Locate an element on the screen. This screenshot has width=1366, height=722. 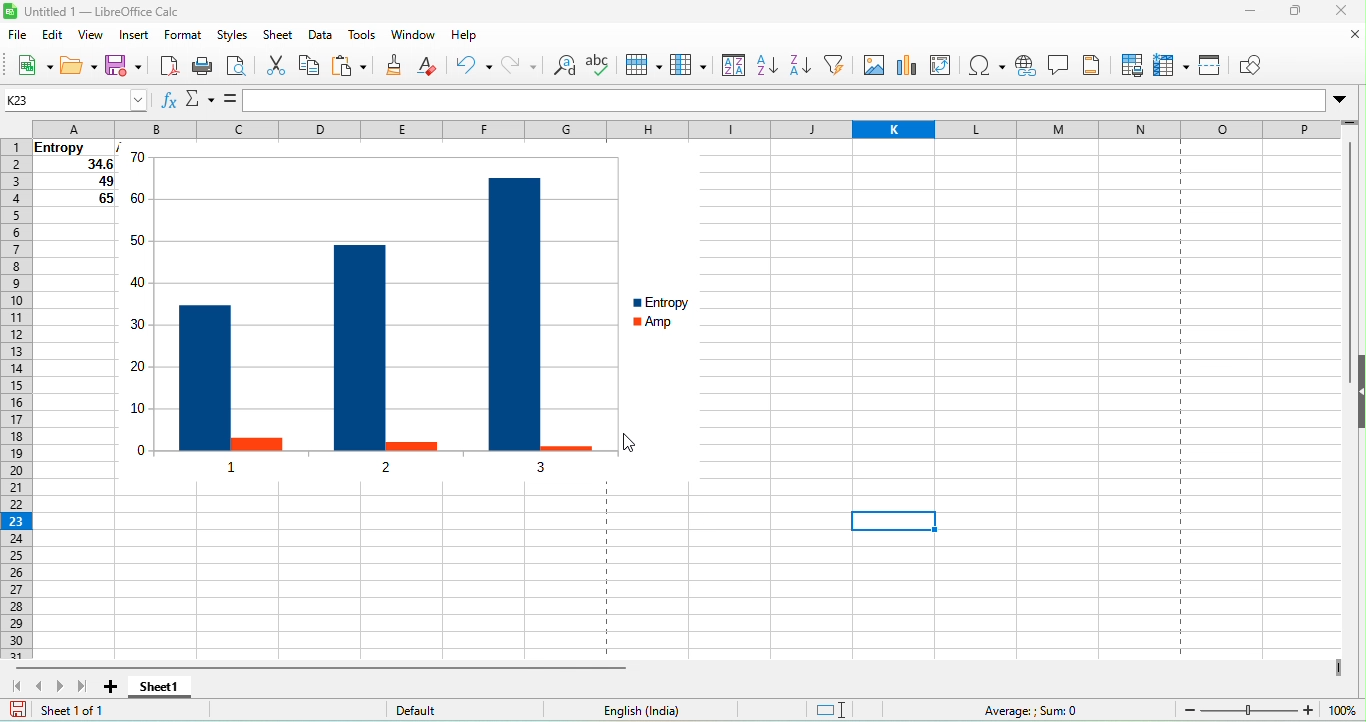
sort is located at coordinates (733, 65).